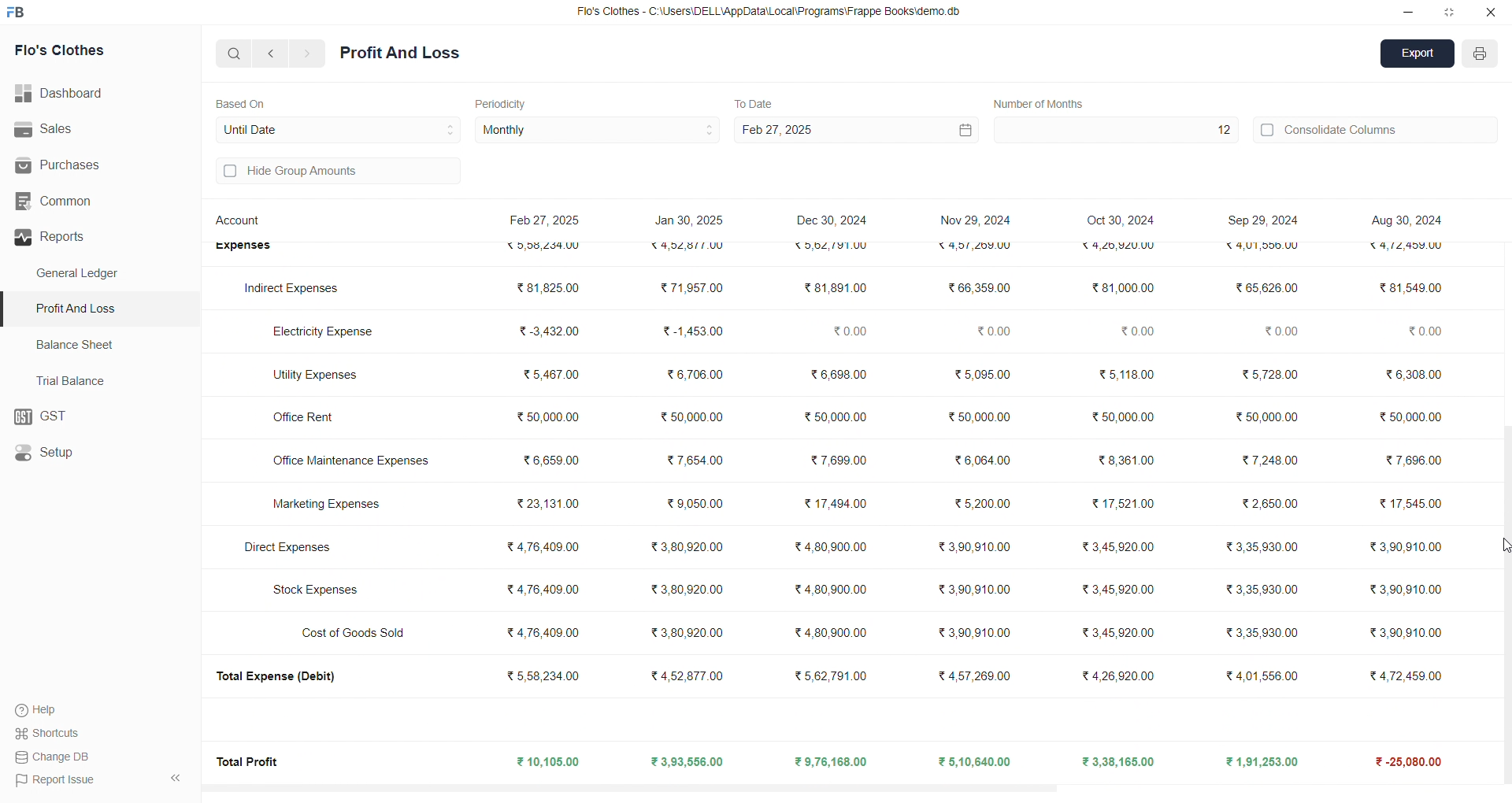 This screenshot has height=803, width=1512. What do you see at coordinates (691, 223) in the screenshot?
I see `Jan 30, 2025` at bounding box center [691, 223].